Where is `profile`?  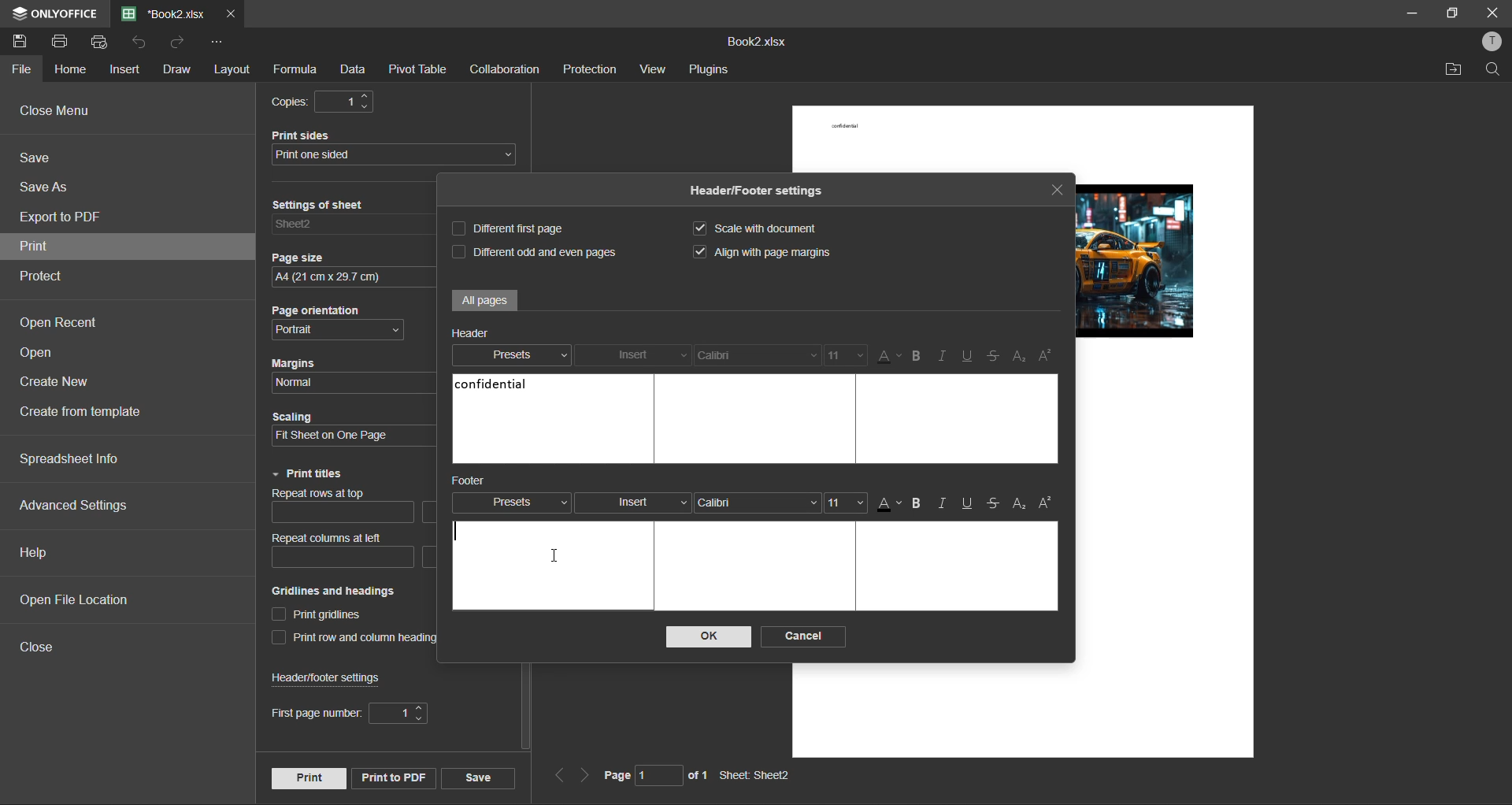
profile is located at coordinates (1493, 43).